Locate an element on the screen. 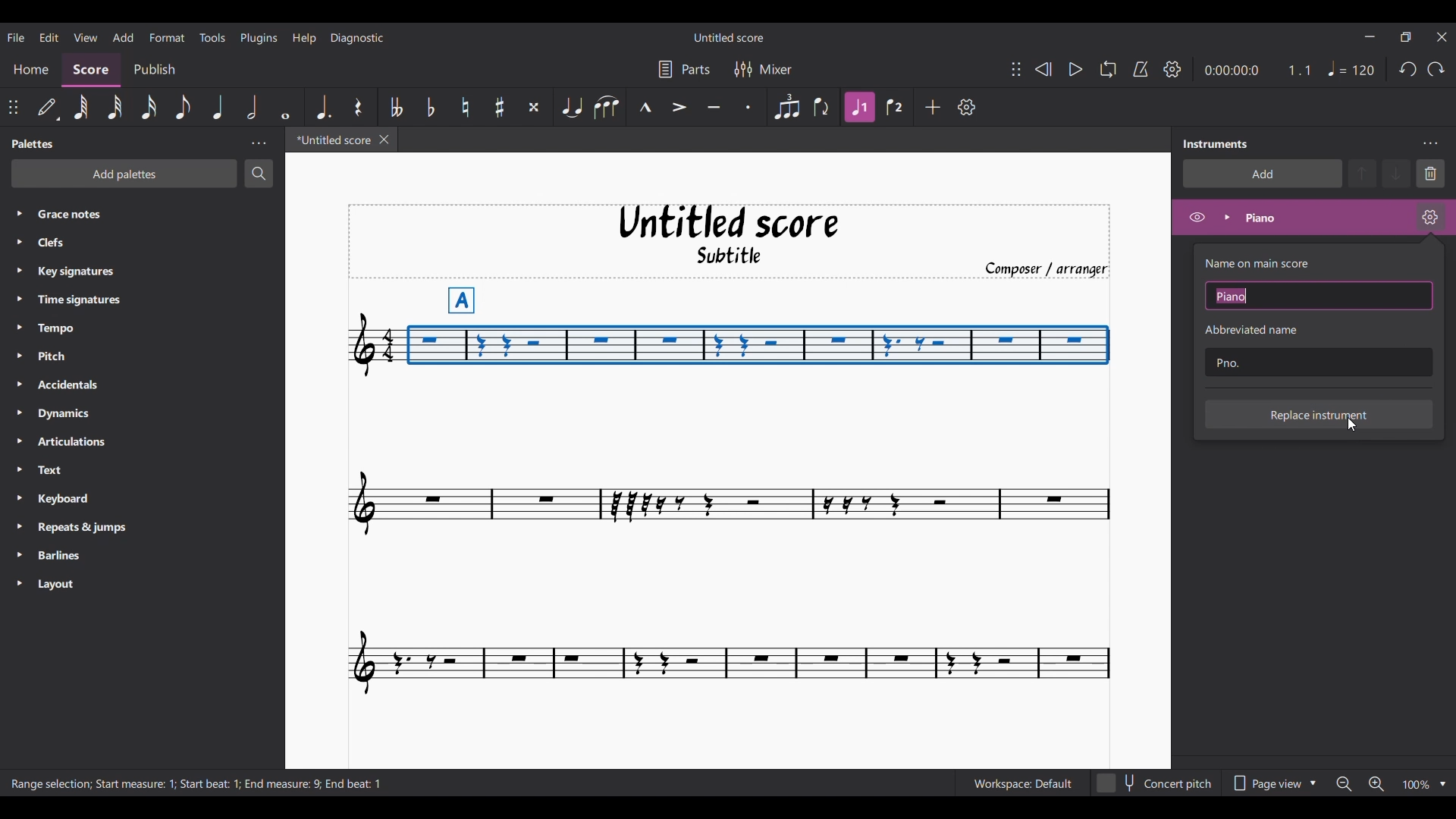  Metronome is located at coordinates (1141, 69).